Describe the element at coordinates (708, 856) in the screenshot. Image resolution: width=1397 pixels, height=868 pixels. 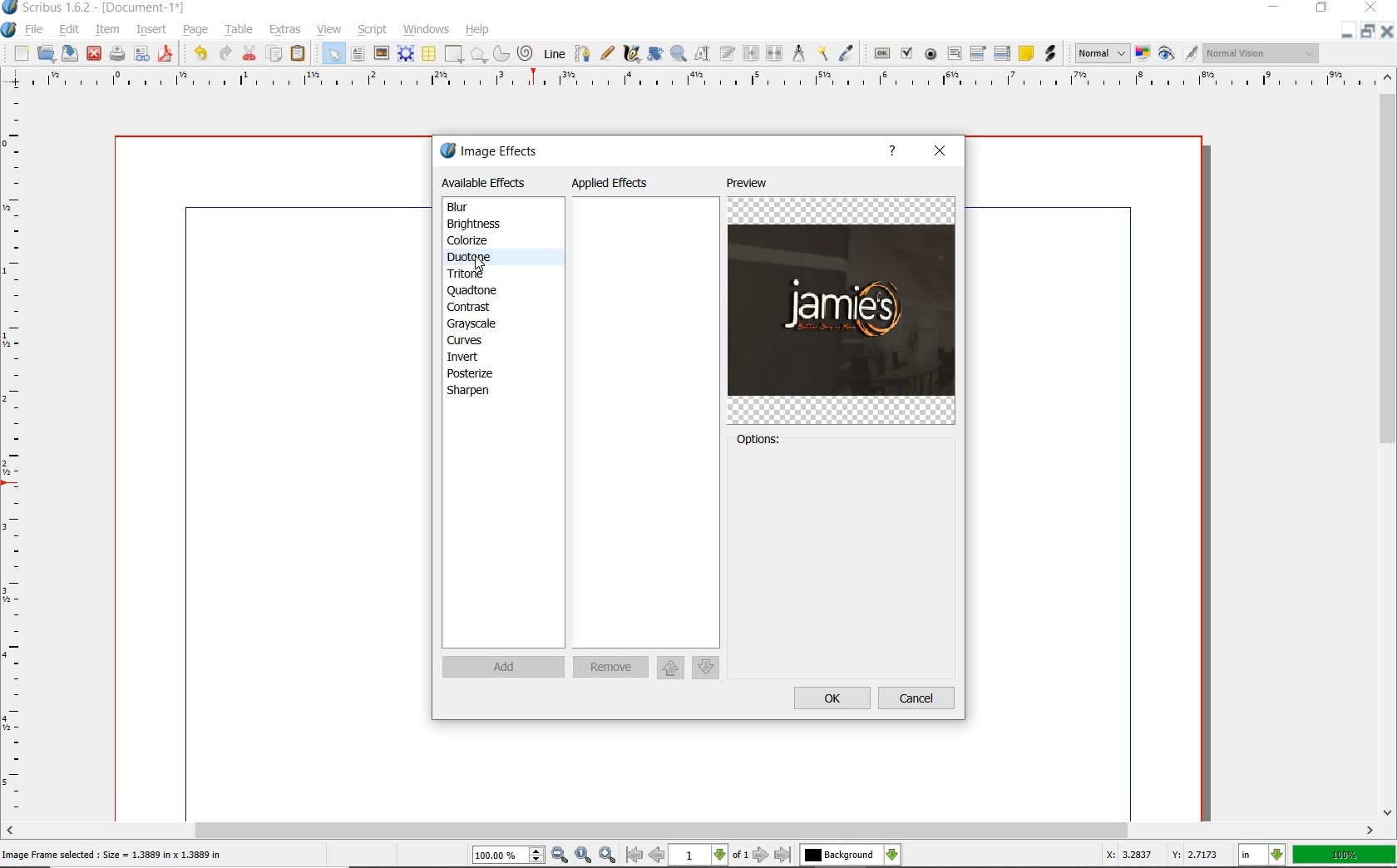
I see `move to next or previous page` at that location.